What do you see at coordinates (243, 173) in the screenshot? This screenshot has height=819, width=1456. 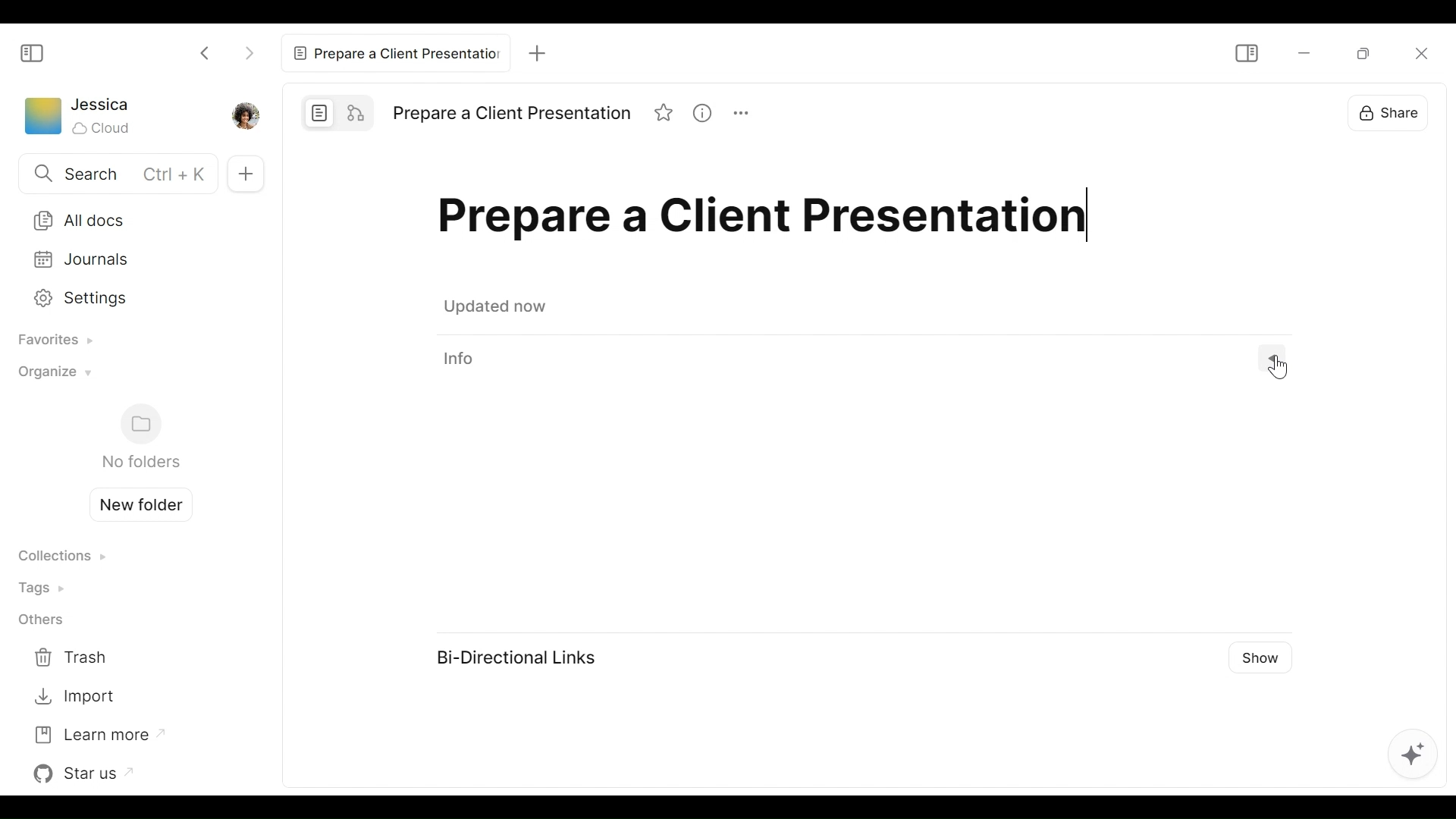 I see `Add new` at bounding box center [243, 173].